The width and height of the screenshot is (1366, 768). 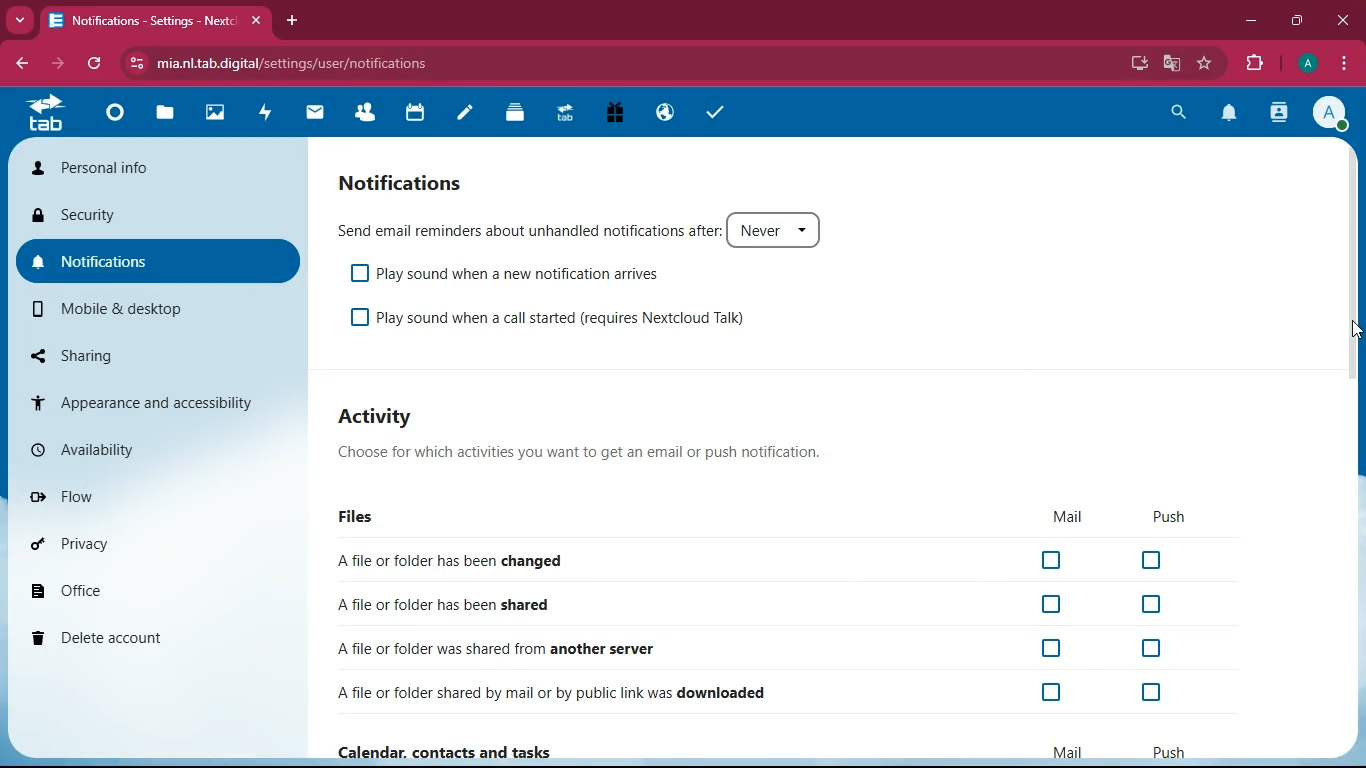 I want to click on Cursor, so click(x=1355, y=331).